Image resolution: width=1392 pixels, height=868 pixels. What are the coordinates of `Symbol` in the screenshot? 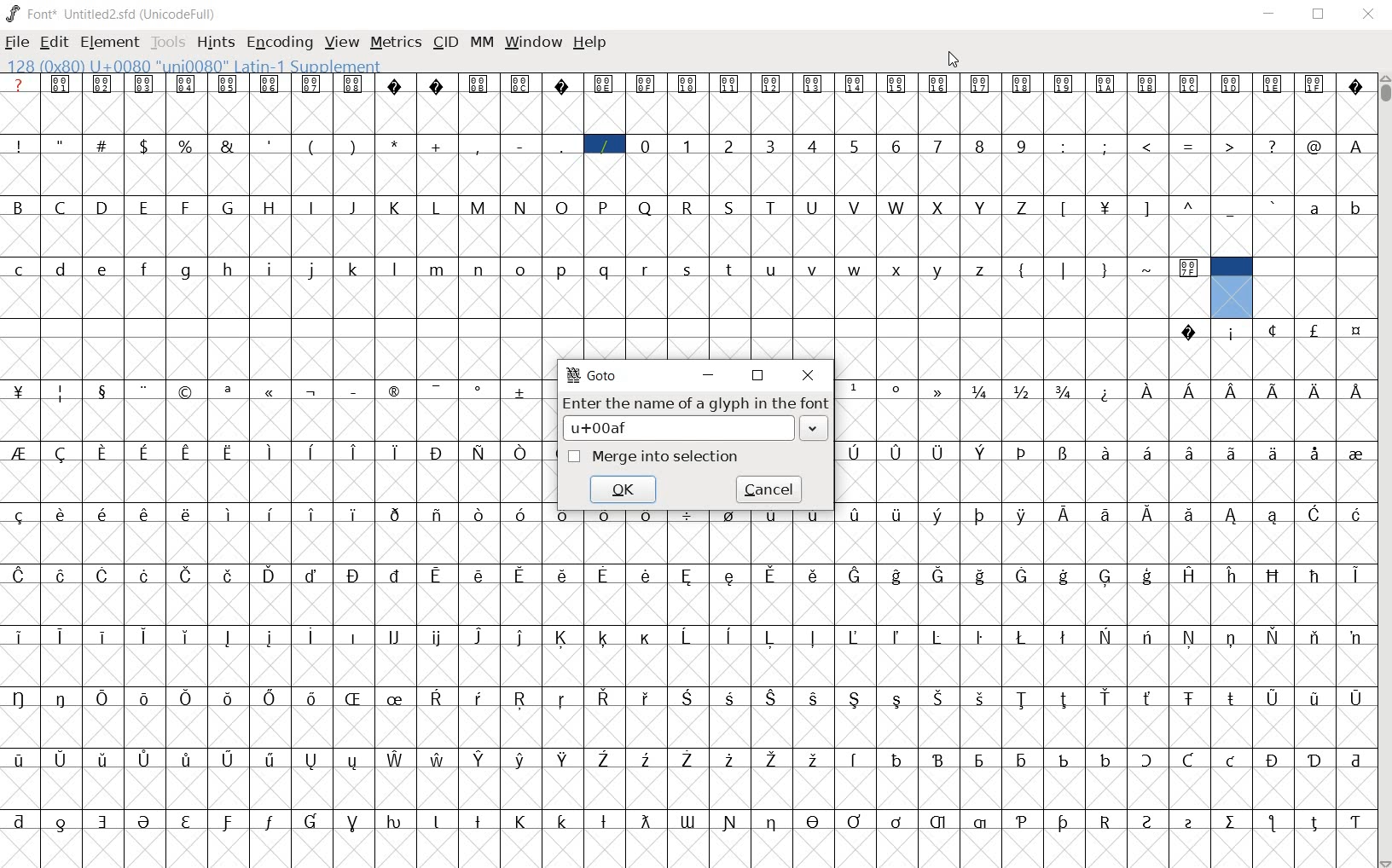 It's located at (188, 758).